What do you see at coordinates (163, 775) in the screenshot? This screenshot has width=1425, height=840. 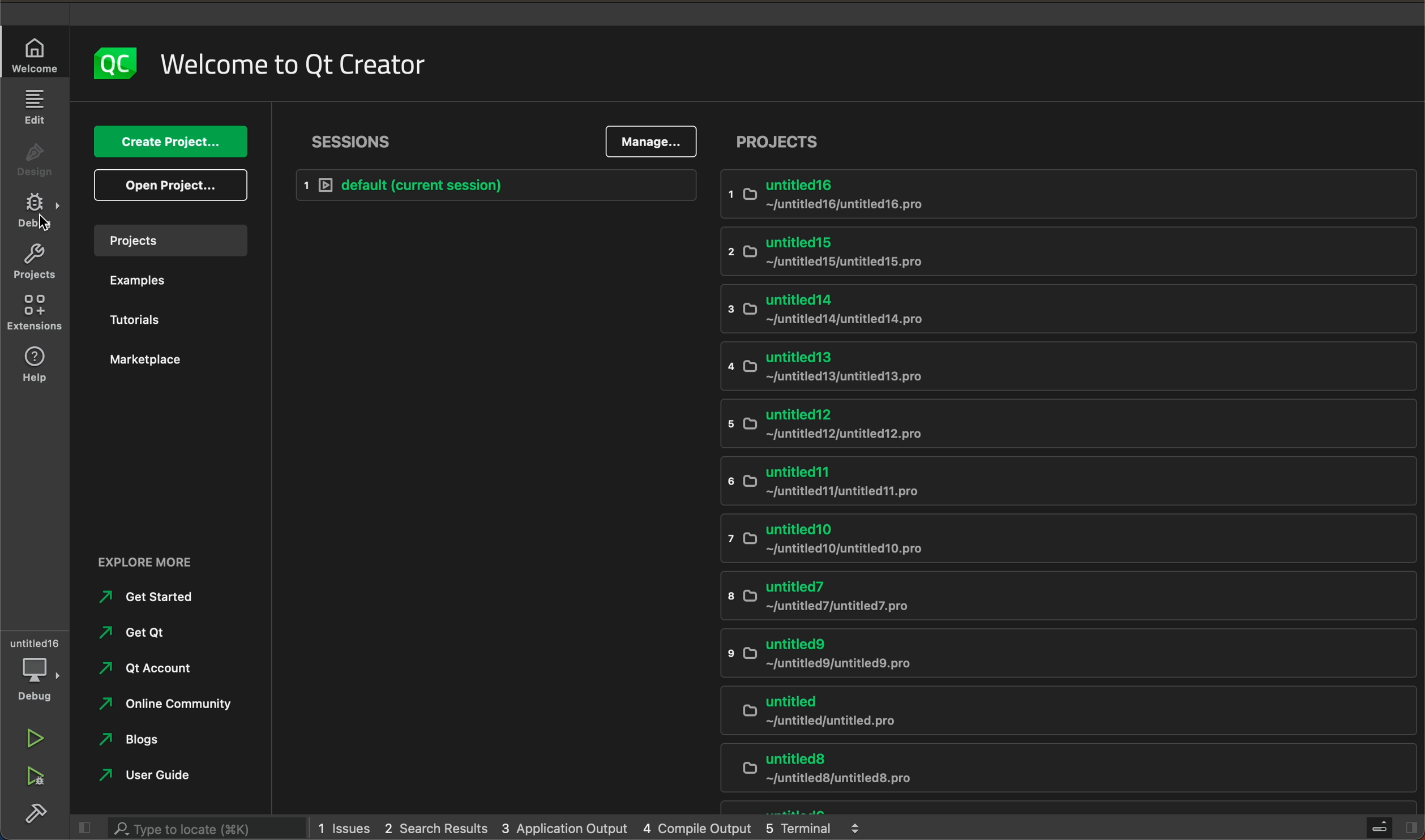 I see `user guide` at bounding box center [163, 775].